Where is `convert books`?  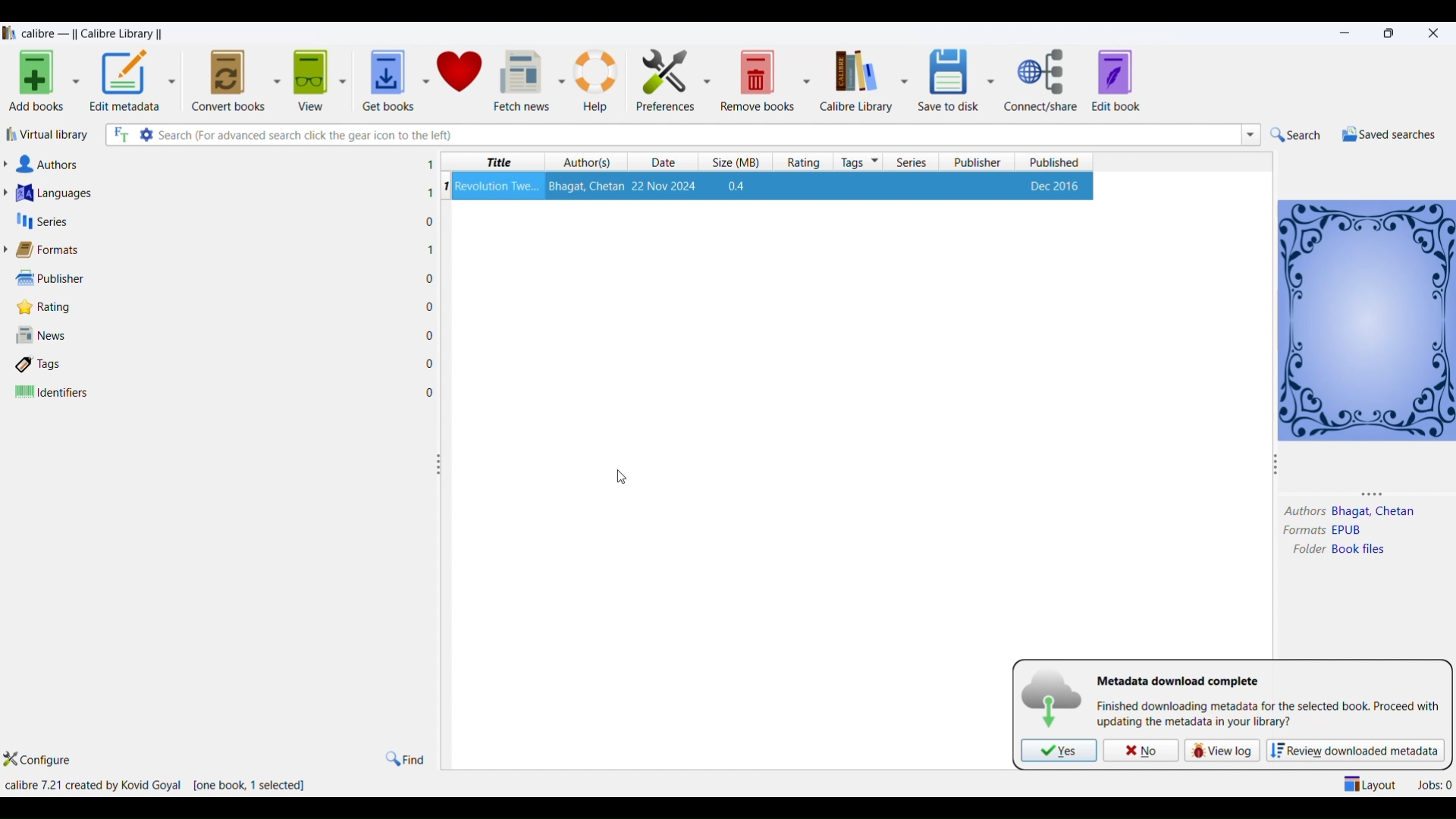
convert books is located at coordinates (228, 78).